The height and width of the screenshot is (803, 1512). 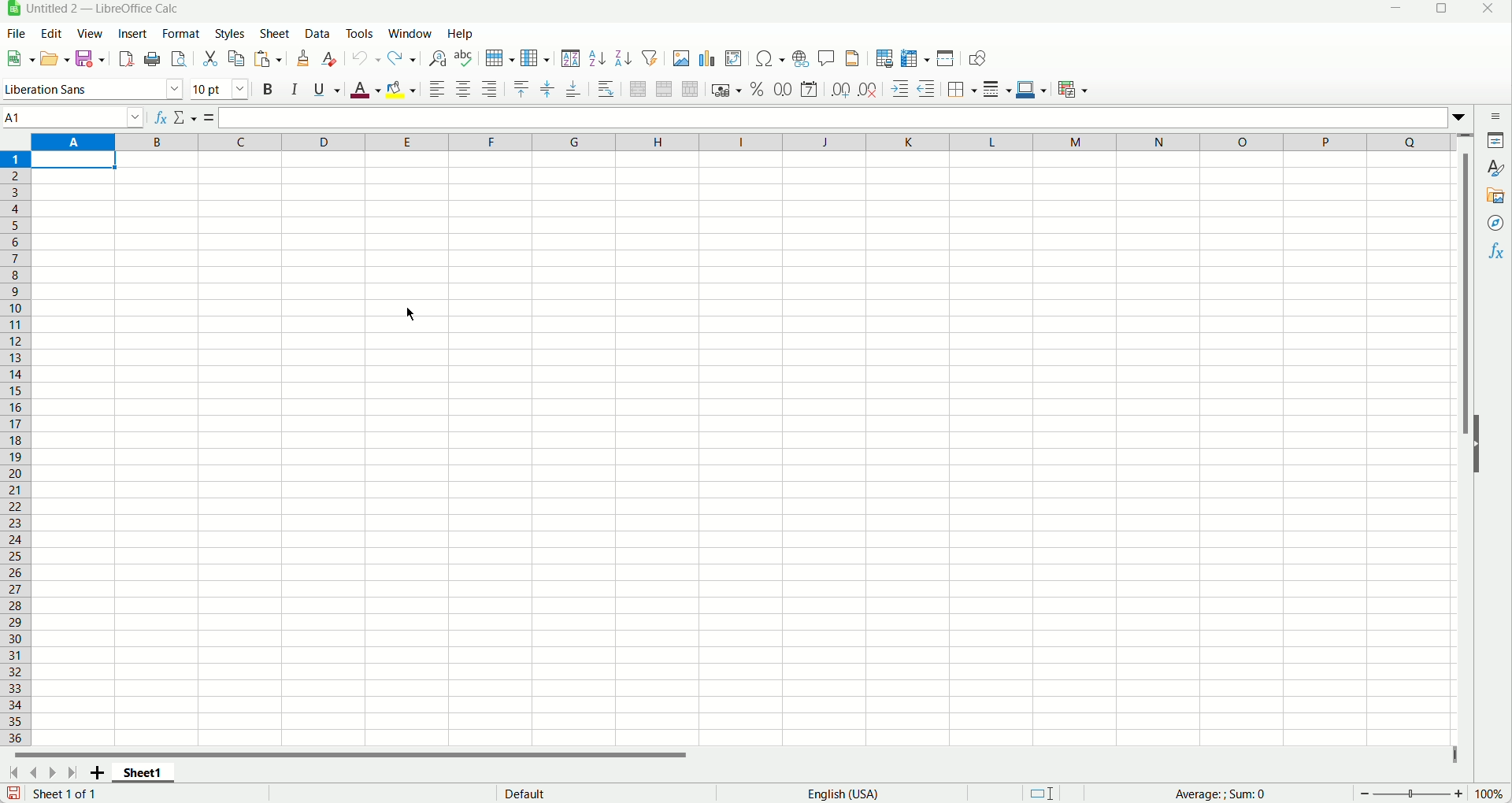 What do you see at coordinates (56, 59) in the screenshot?
I see `Open` at bounding box center [56, 59].